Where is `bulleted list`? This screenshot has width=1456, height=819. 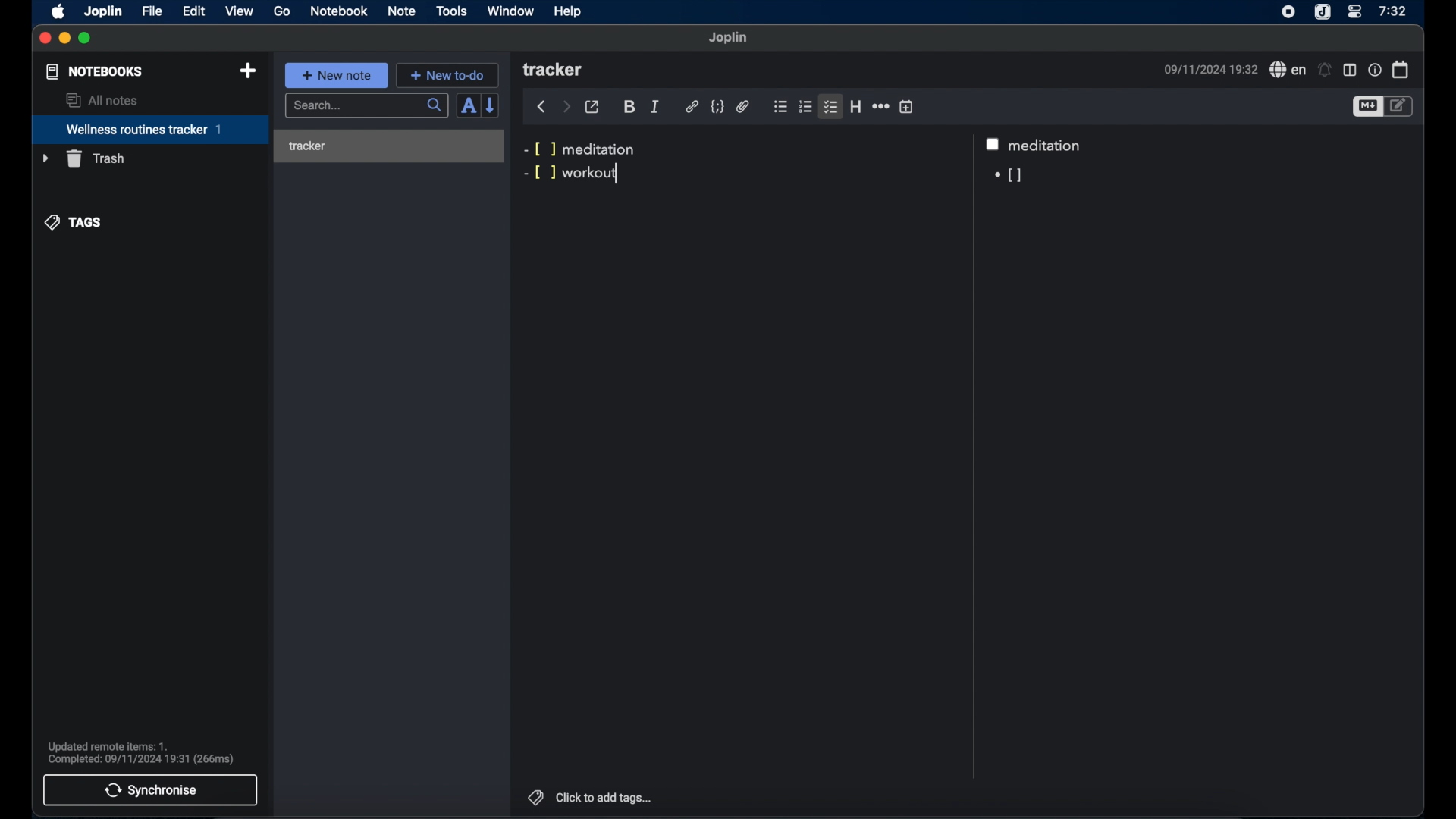 bulleted list is located at coordinates (780, 107).